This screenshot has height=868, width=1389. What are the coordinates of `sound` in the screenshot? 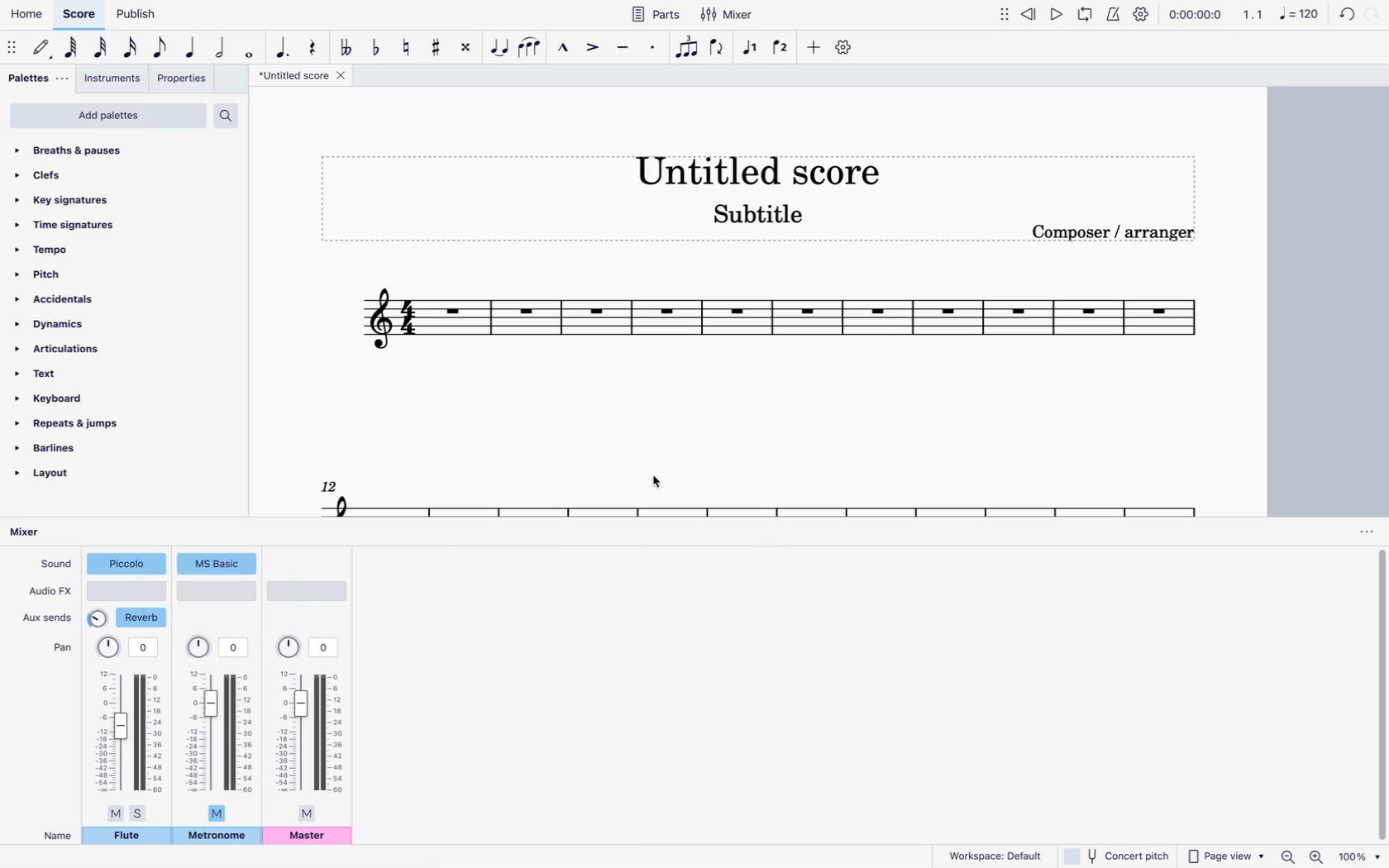 It's located at (54, 562).